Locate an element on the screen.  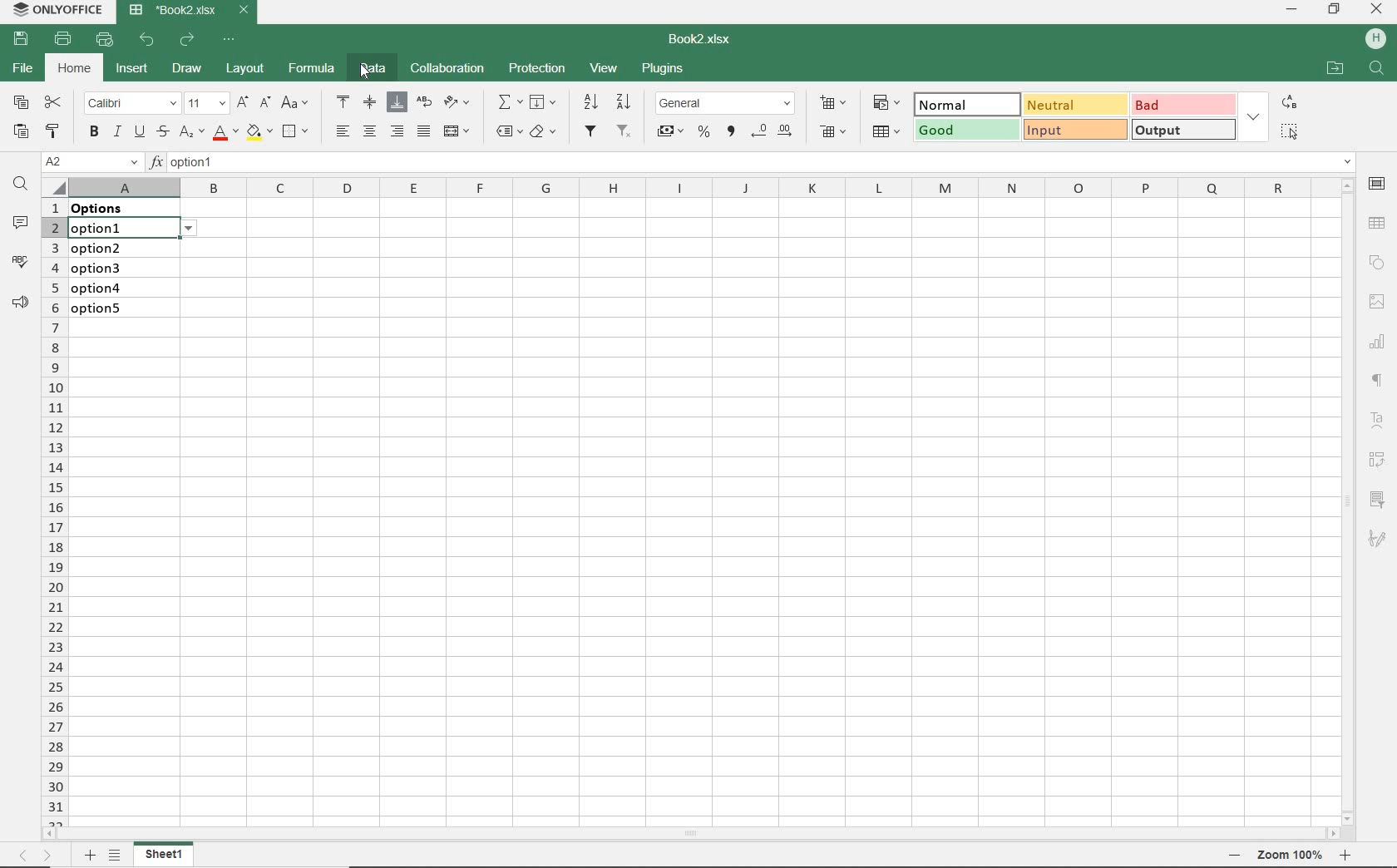
JUSTIFIED is located at coordinates (422, 131).